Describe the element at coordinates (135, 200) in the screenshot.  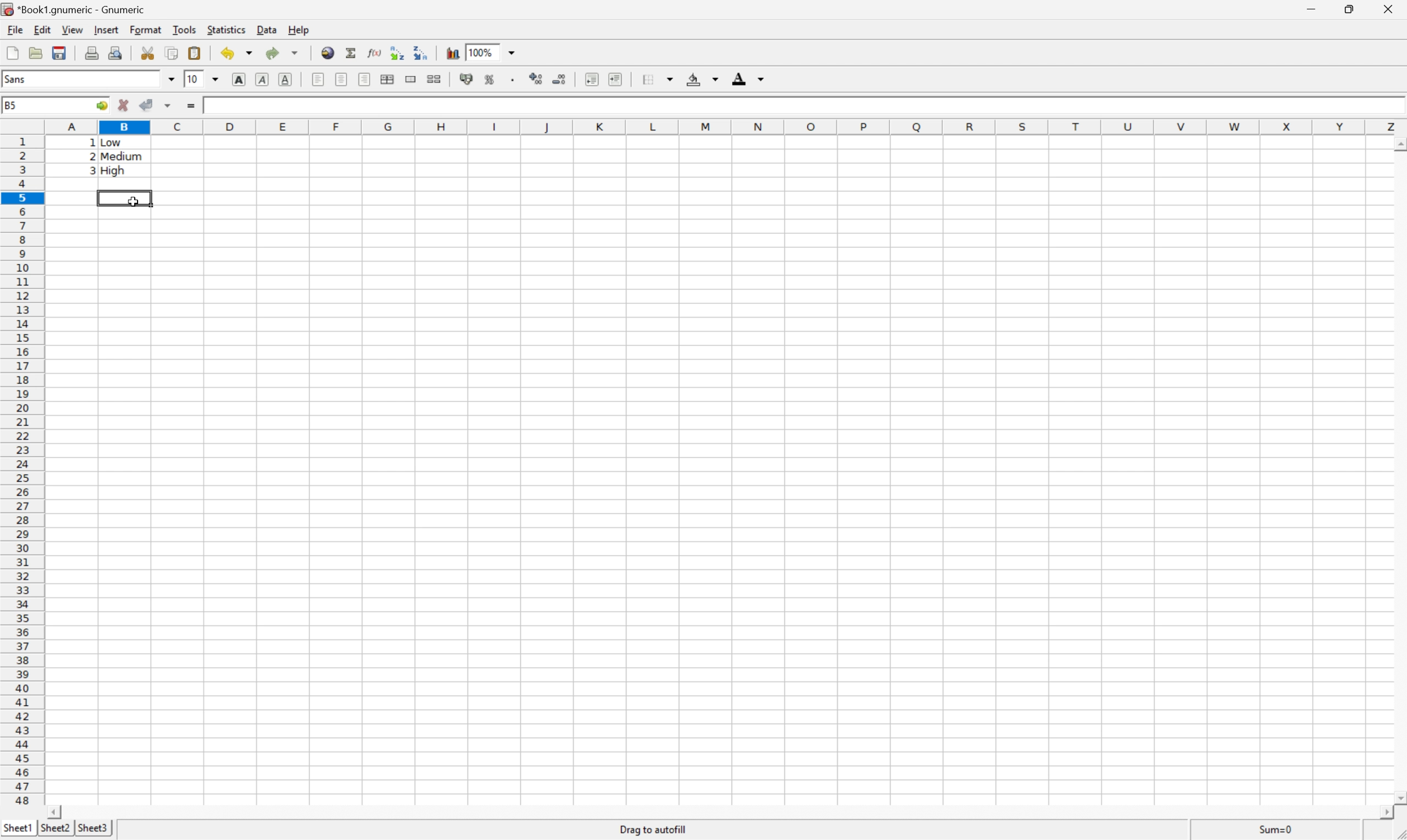
I see `Cursor` at that location.